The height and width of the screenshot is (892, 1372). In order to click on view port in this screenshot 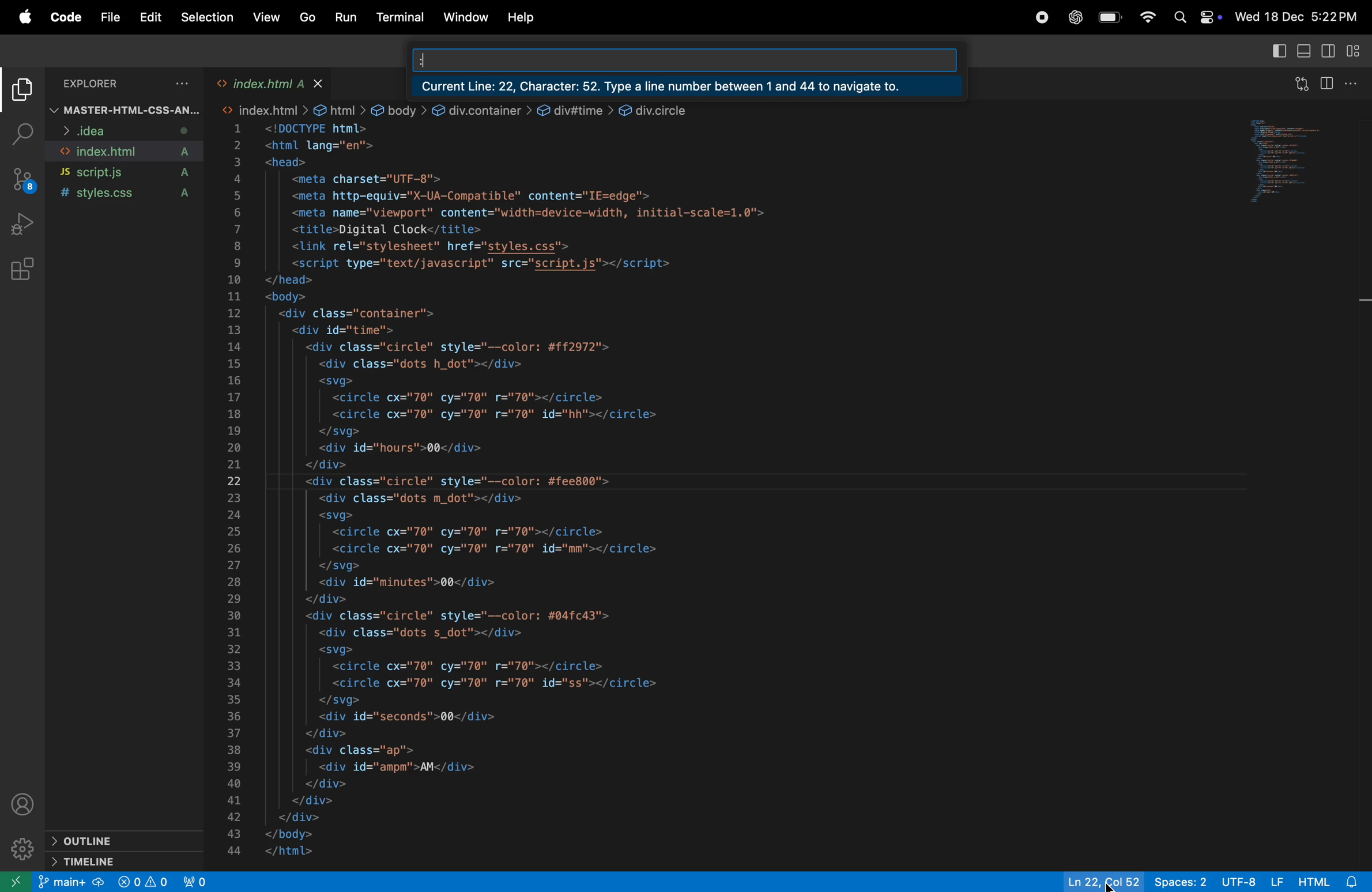, I will do `click(197, 881)`.